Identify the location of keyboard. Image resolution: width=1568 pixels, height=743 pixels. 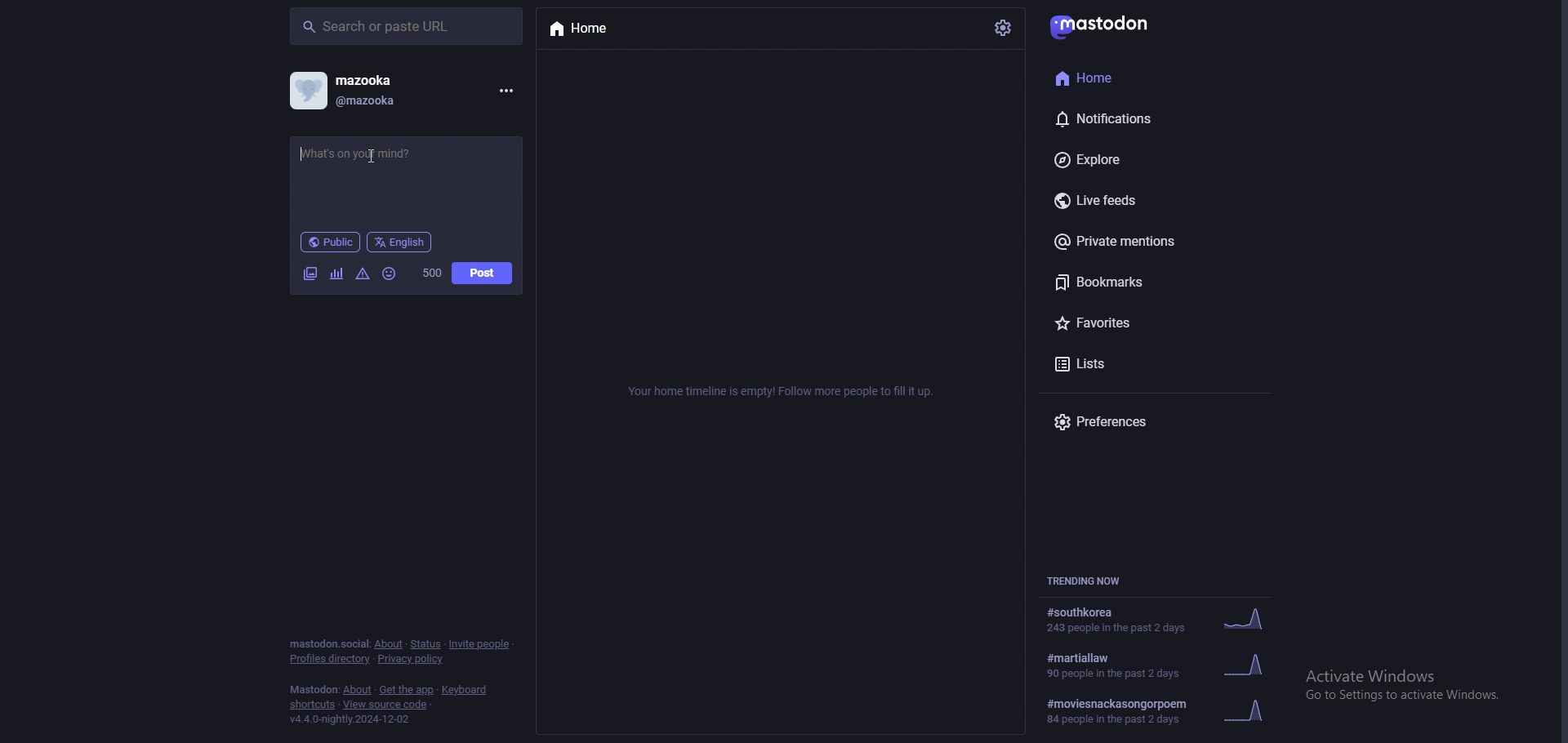
(463, 690).